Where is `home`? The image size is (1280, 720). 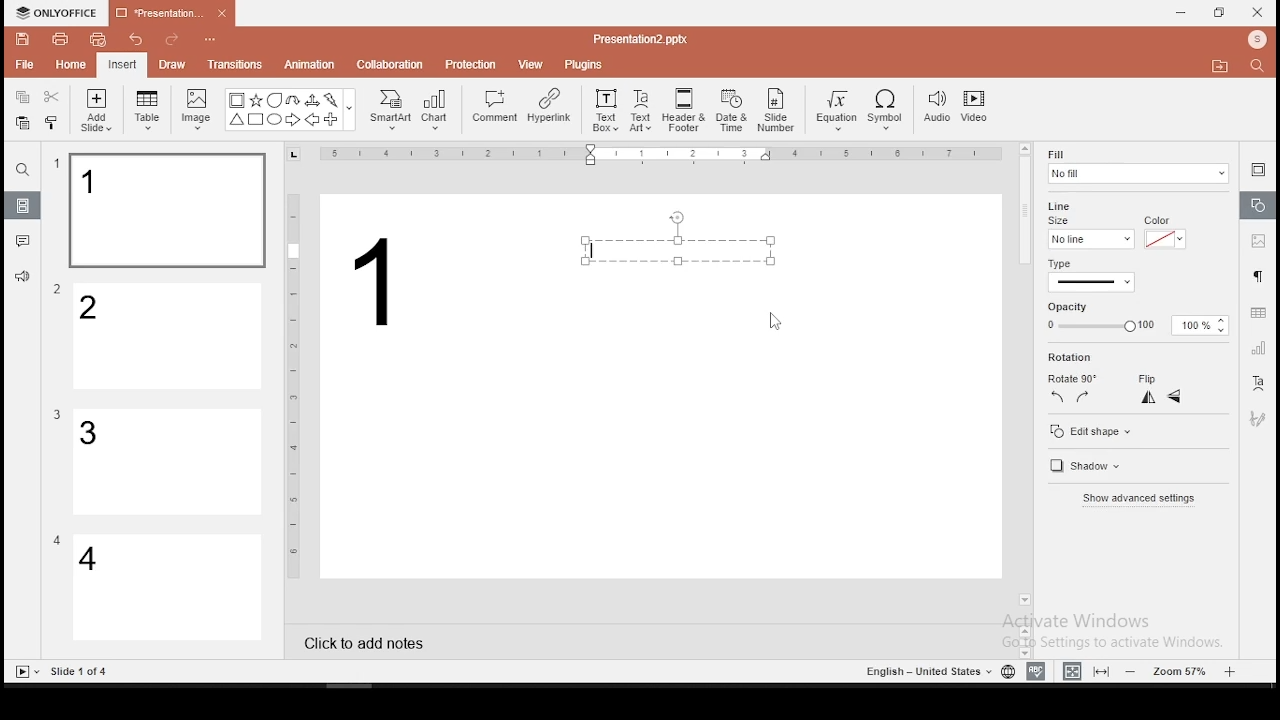
home is located at coordinates (69, 64).